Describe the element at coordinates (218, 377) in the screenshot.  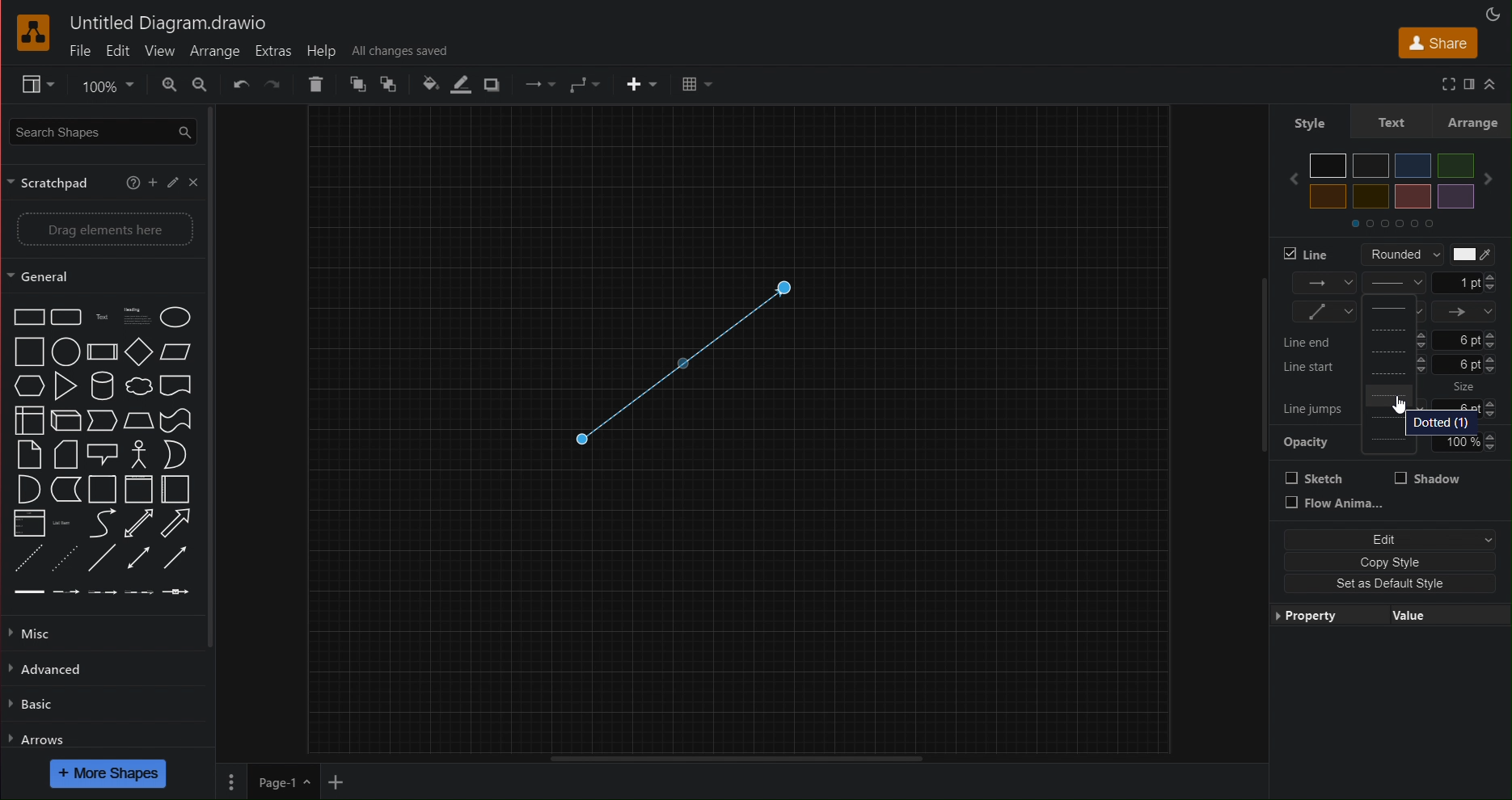
I see `scrollbar` at that location.